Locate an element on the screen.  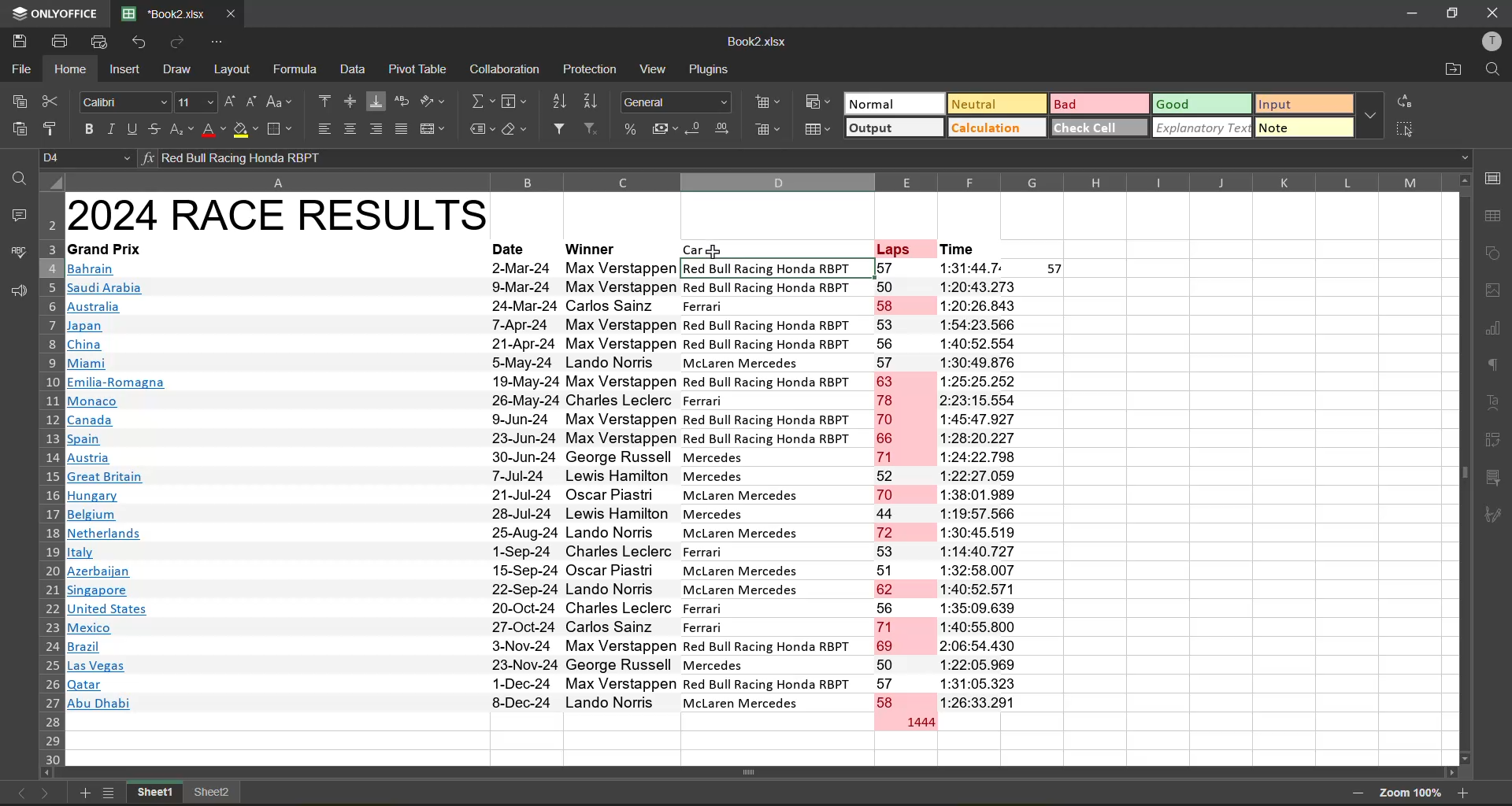
zoom out is located at coordinates (1355, 792).